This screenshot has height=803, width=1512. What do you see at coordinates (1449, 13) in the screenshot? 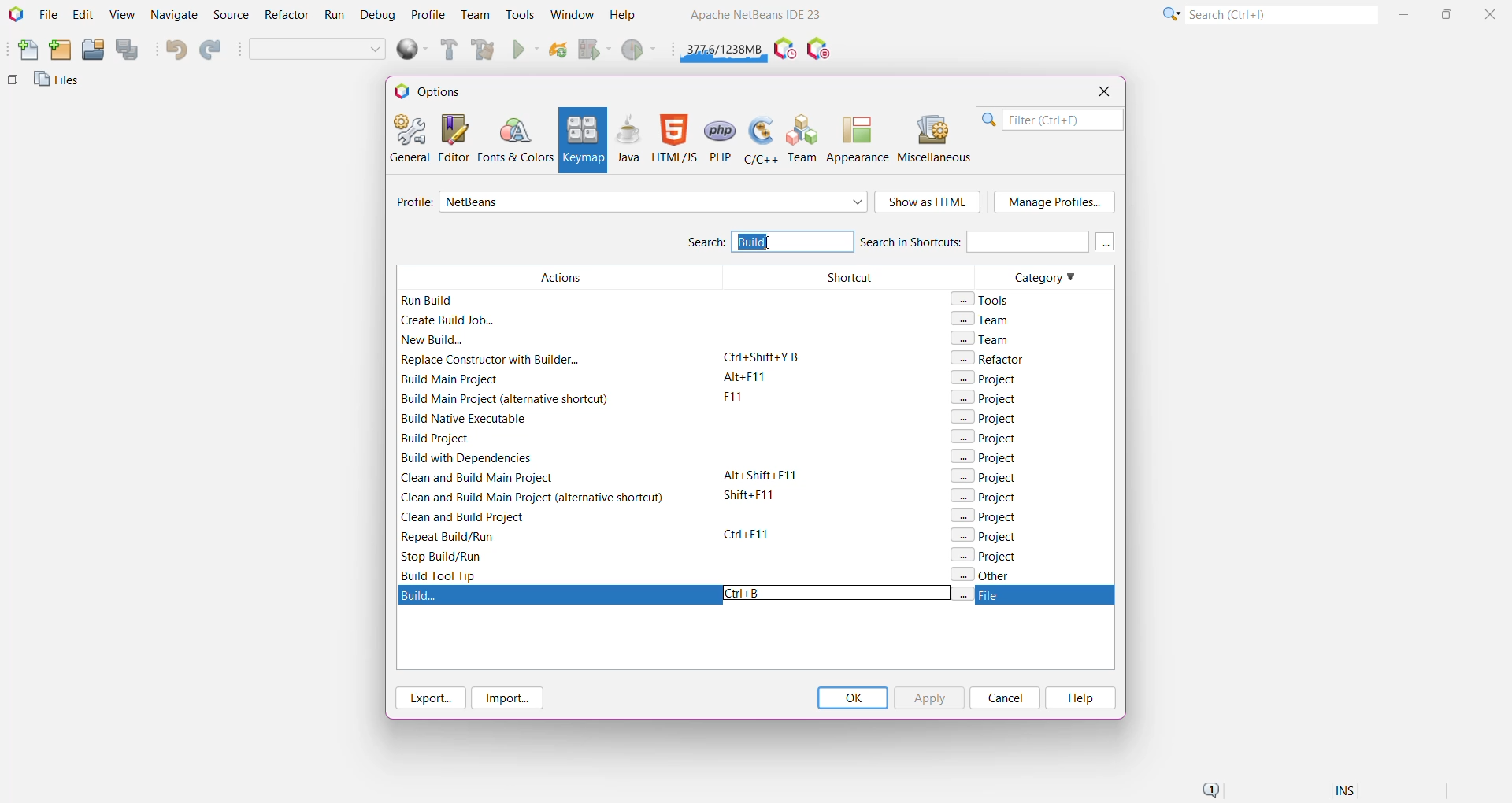
I see `Maximize` at bounding box center [1449, 13].